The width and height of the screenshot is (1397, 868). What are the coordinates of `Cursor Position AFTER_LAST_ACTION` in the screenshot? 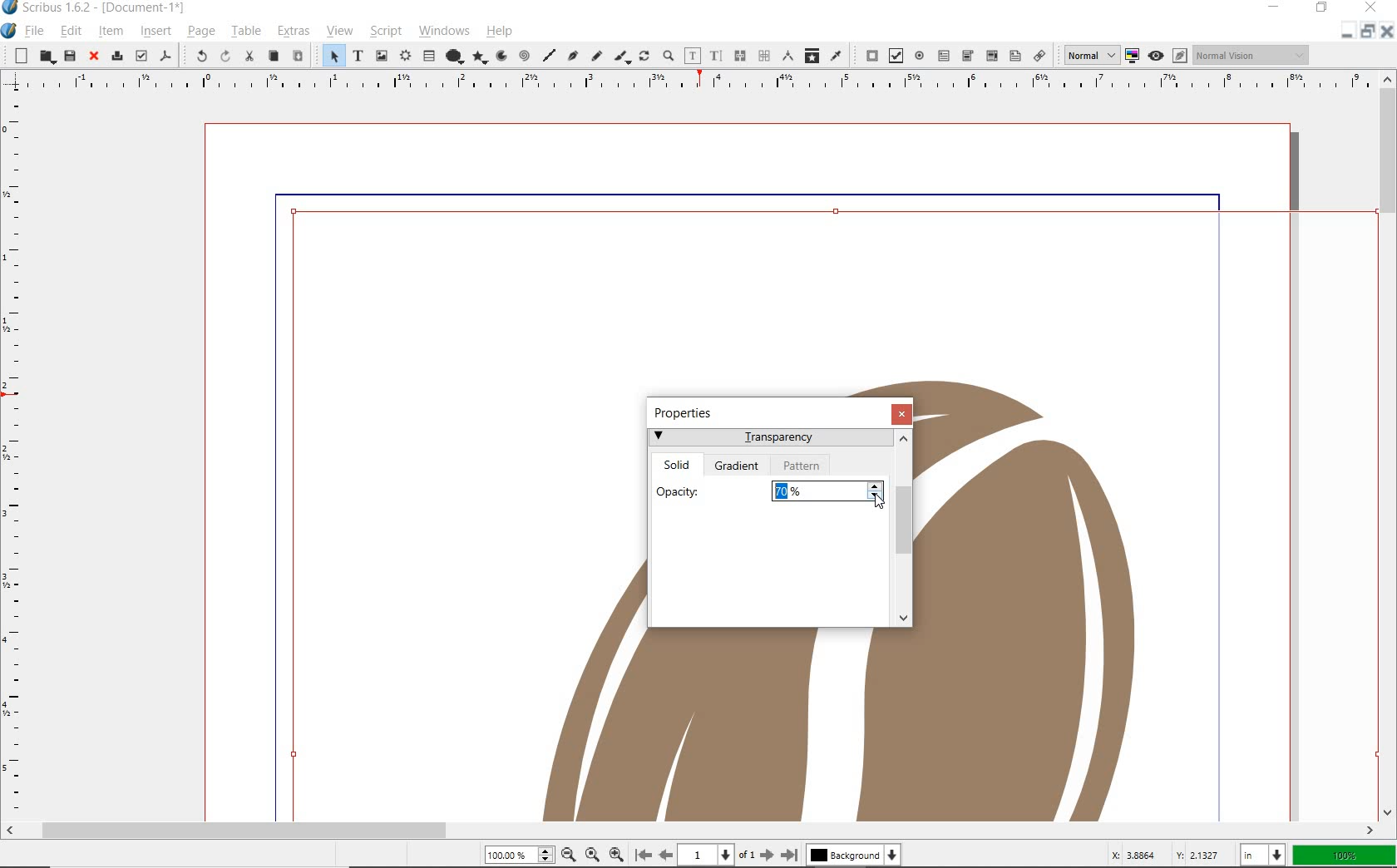 It's located at (878, 503).